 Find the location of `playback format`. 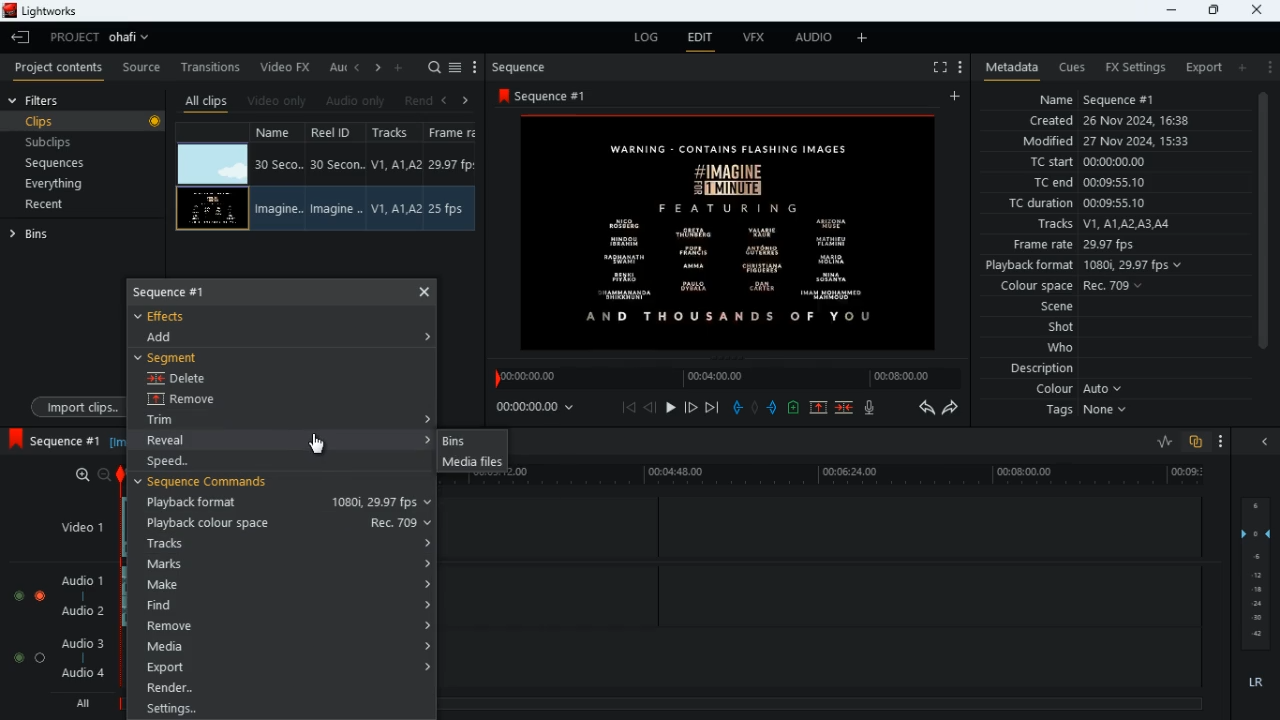

playback format is located at coordinates (286, 503).